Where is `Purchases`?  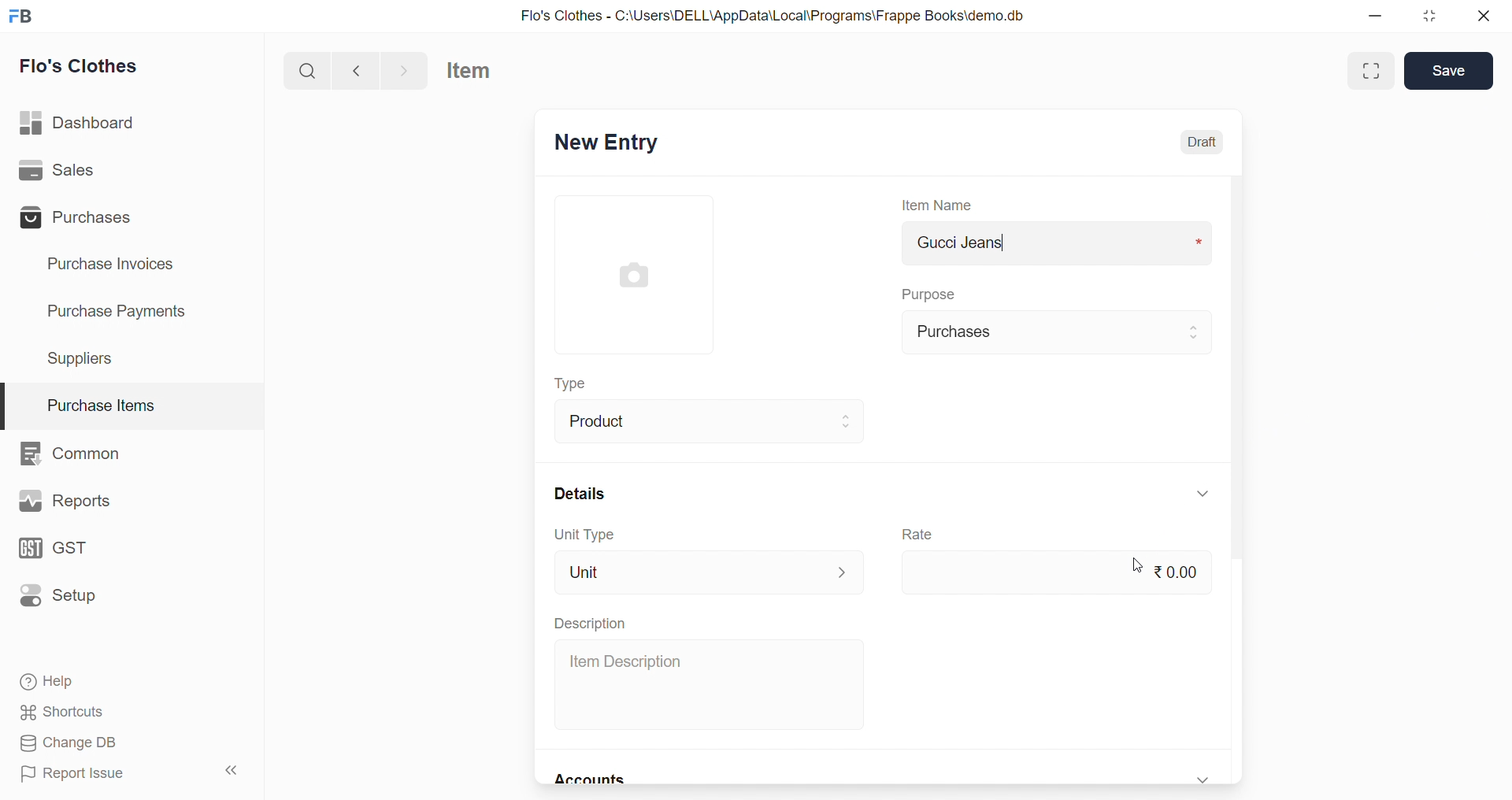
Purchases is located at coordinates (80, 217).